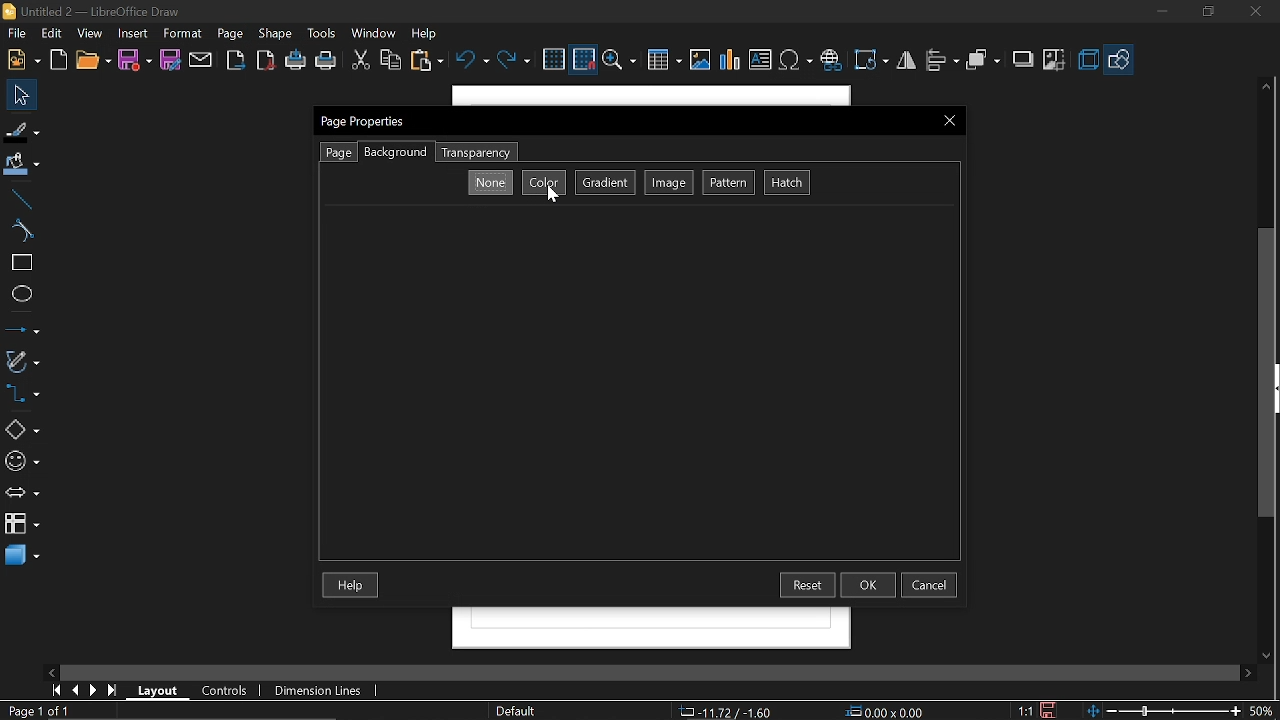 Image resolution: width=1280 pixels, height=720 pixels. I want to click on arrange, so click(985, 61).